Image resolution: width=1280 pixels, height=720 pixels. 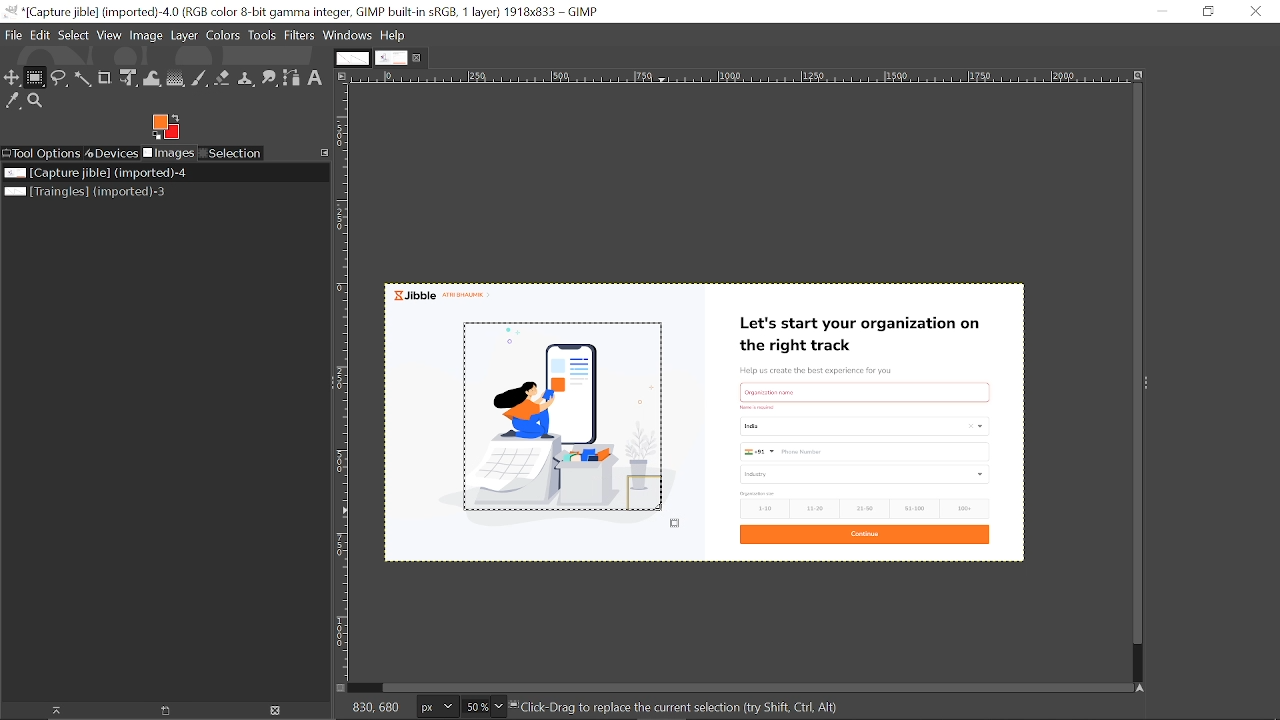 What do you see at coordinates (861, 427) in the screenshot?
I see `image` at bounding box center [861, 427].